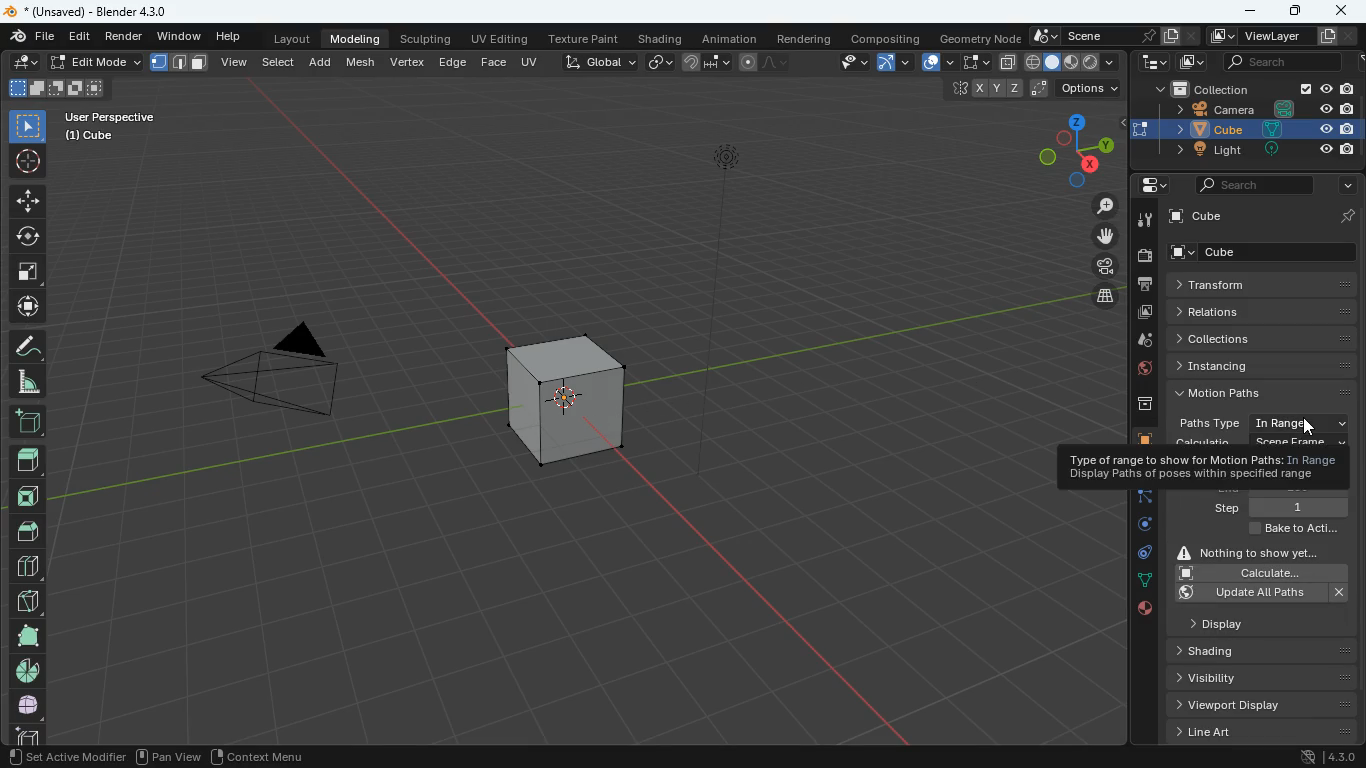 This screenshot has height=768, width=1366. Describe the element at coordinates (27, 597) in the screenshot. I see `diagonal` at that location.